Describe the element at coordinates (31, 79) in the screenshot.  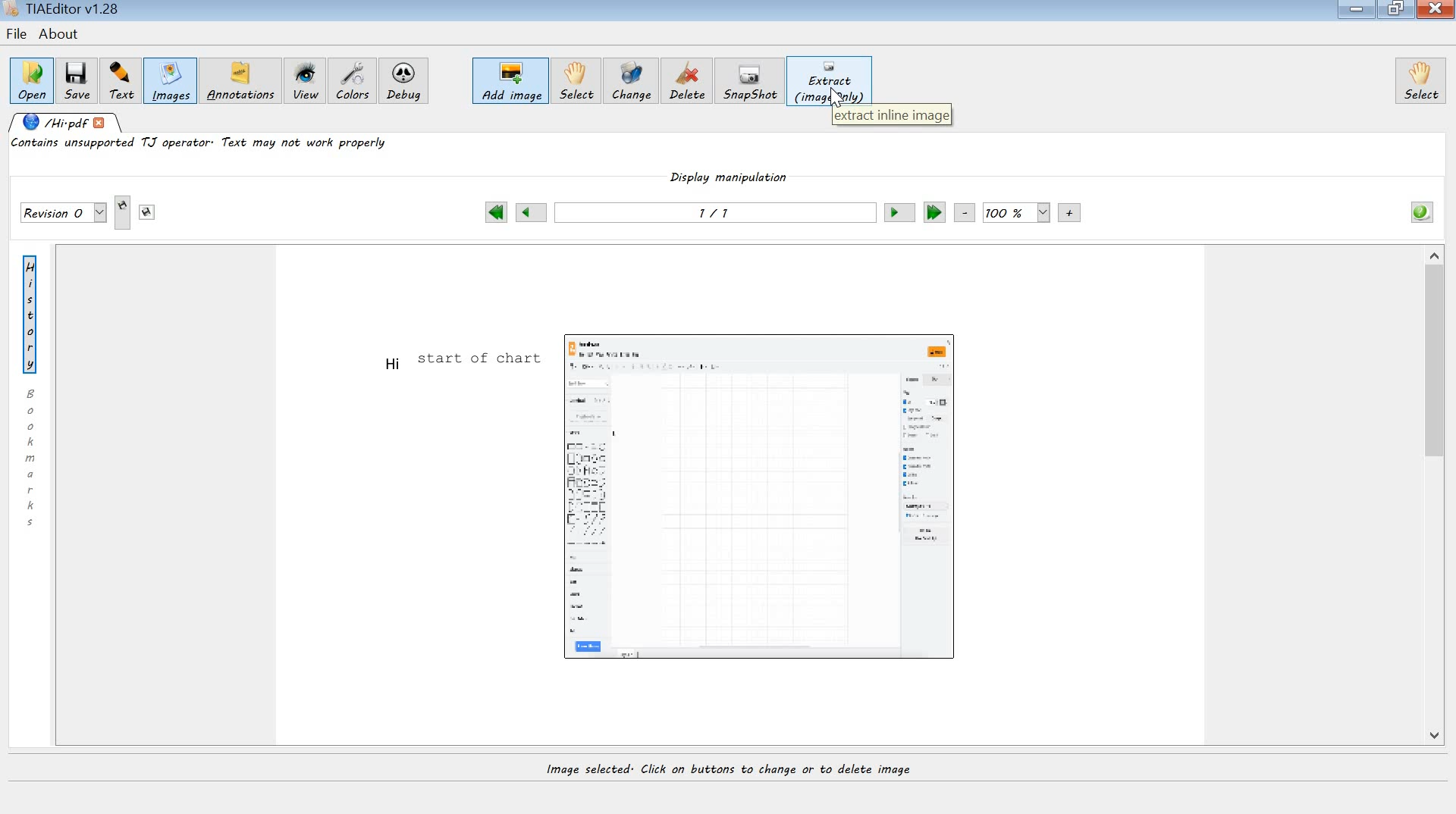
I see `open` at that location.